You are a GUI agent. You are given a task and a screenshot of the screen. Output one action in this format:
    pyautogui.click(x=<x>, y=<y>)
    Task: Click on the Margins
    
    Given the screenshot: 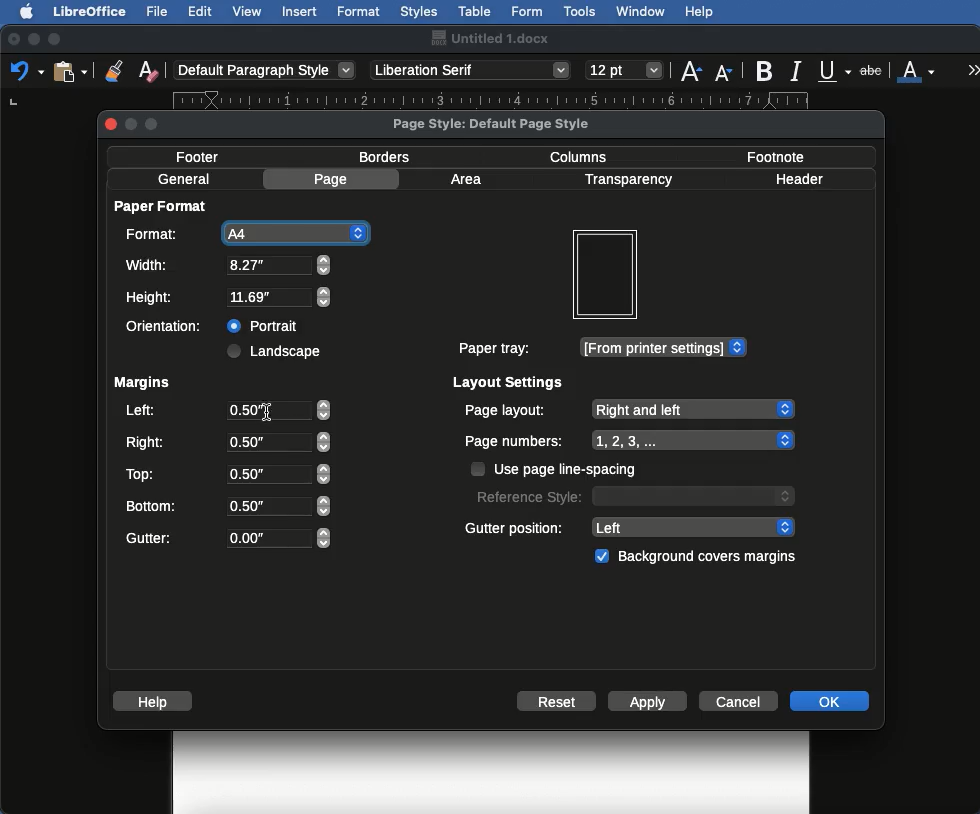 What is the action you would take?
    pyautogui.click(x=141, y=383)
    